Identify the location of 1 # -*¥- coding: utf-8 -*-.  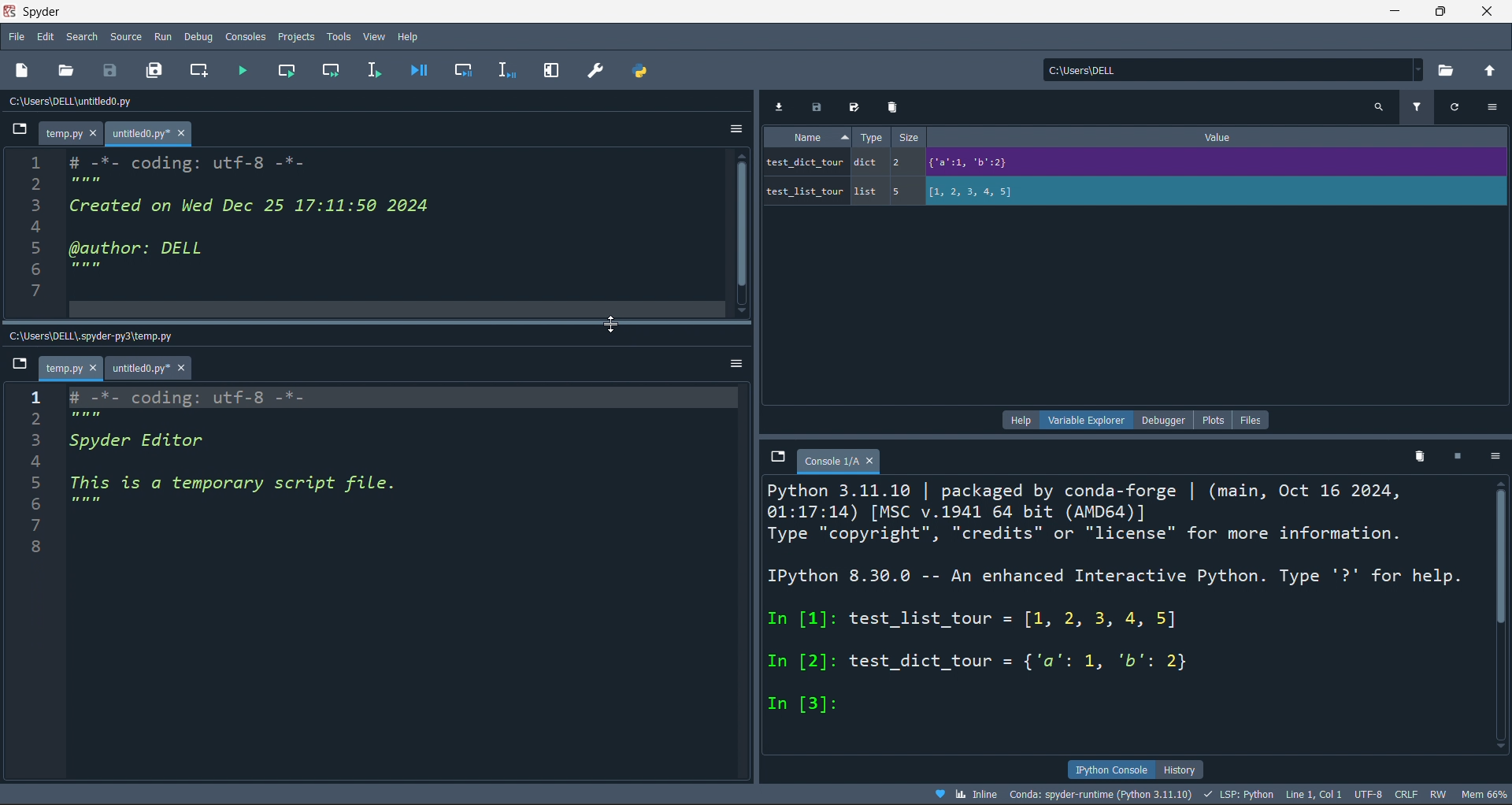
(205, 395).